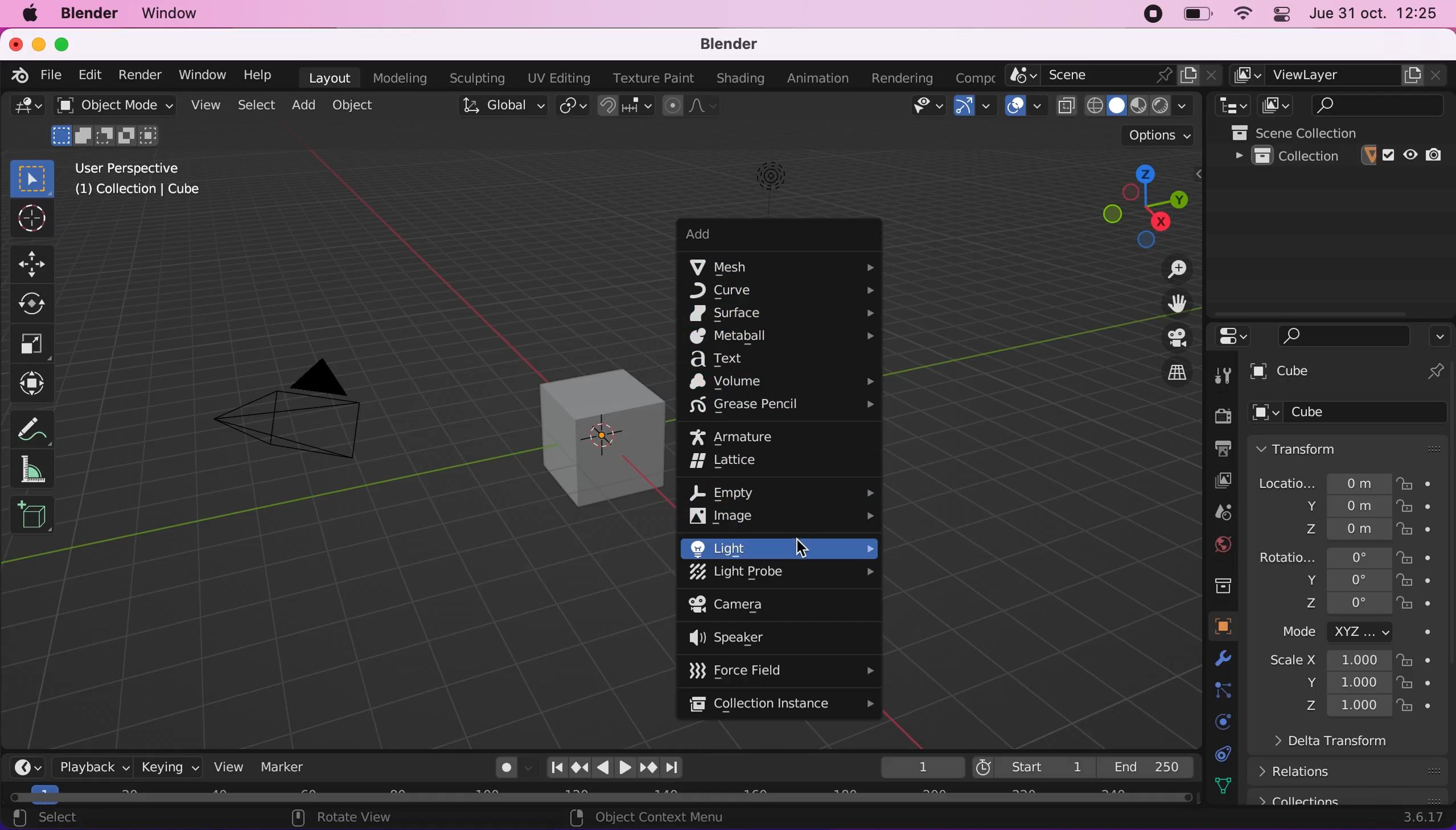 The image size is (1456, 830). What do you see at coordinates (1273, 105) in the screenshot?
I see `display mode` at bounding box center [1273, 105].